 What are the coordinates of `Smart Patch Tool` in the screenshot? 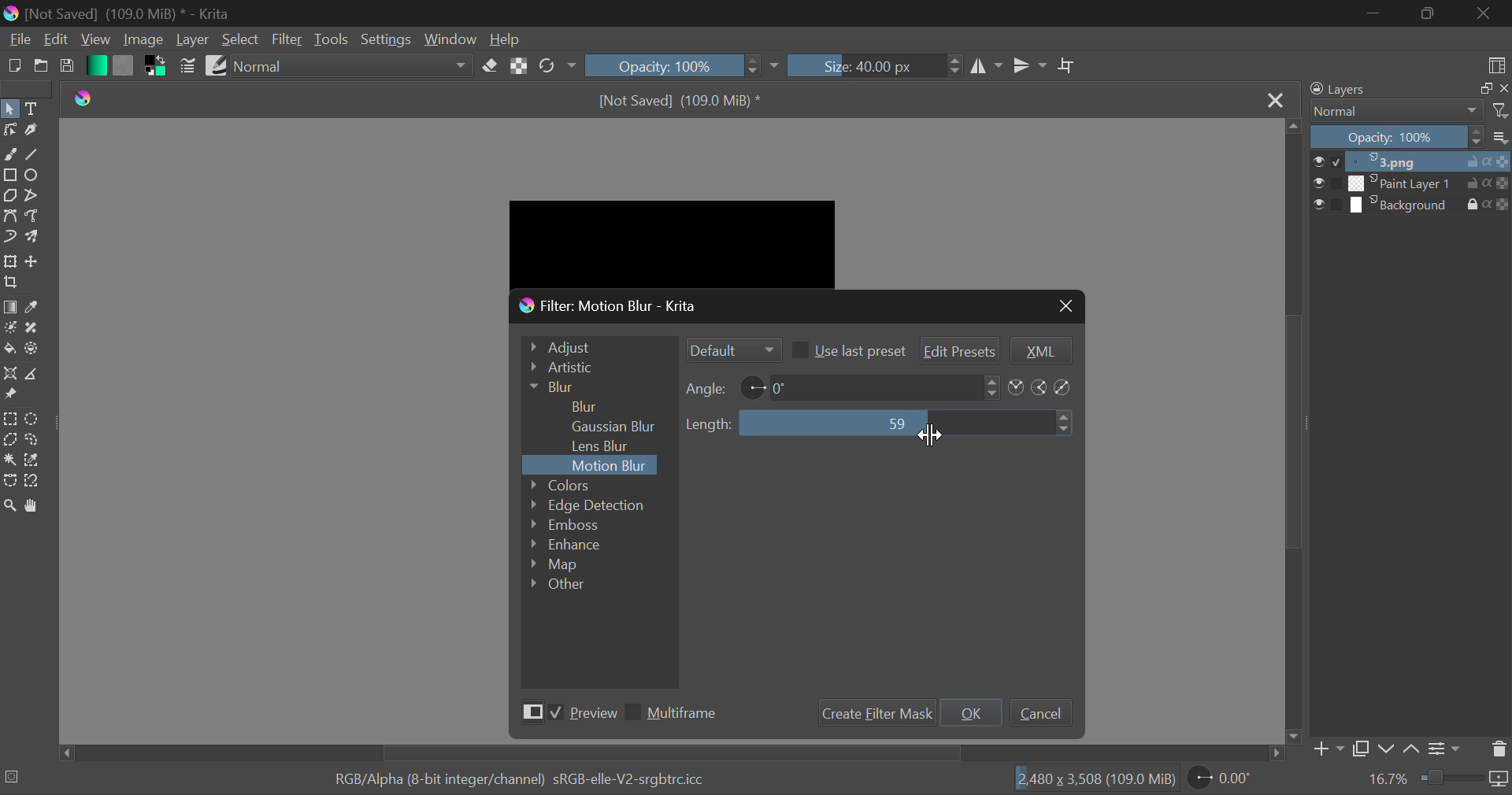 It's located at (30, 330).